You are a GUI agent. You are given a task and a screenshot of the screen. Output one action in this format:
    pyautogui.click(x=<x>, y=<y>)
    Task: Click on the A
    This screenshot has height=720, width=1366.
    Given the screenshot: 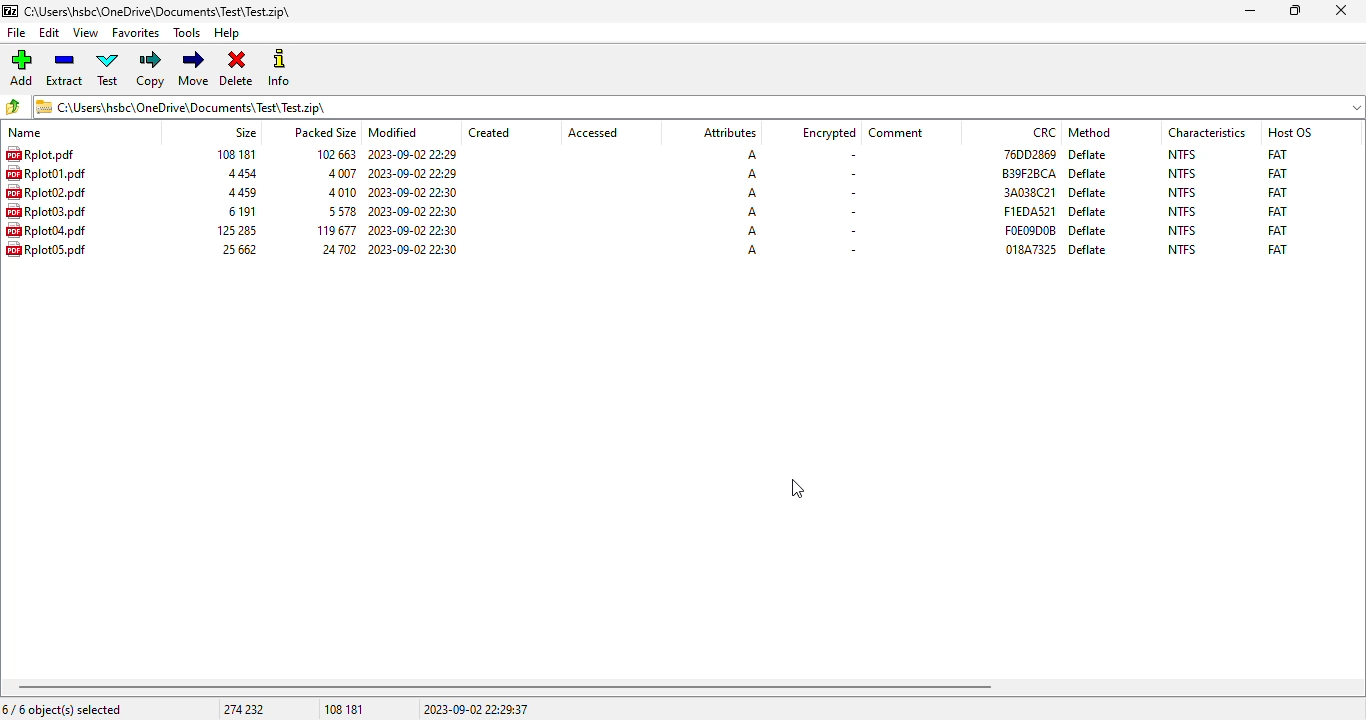 What is the action you would take?
    pyautogui.click(x=752, y=249)
    